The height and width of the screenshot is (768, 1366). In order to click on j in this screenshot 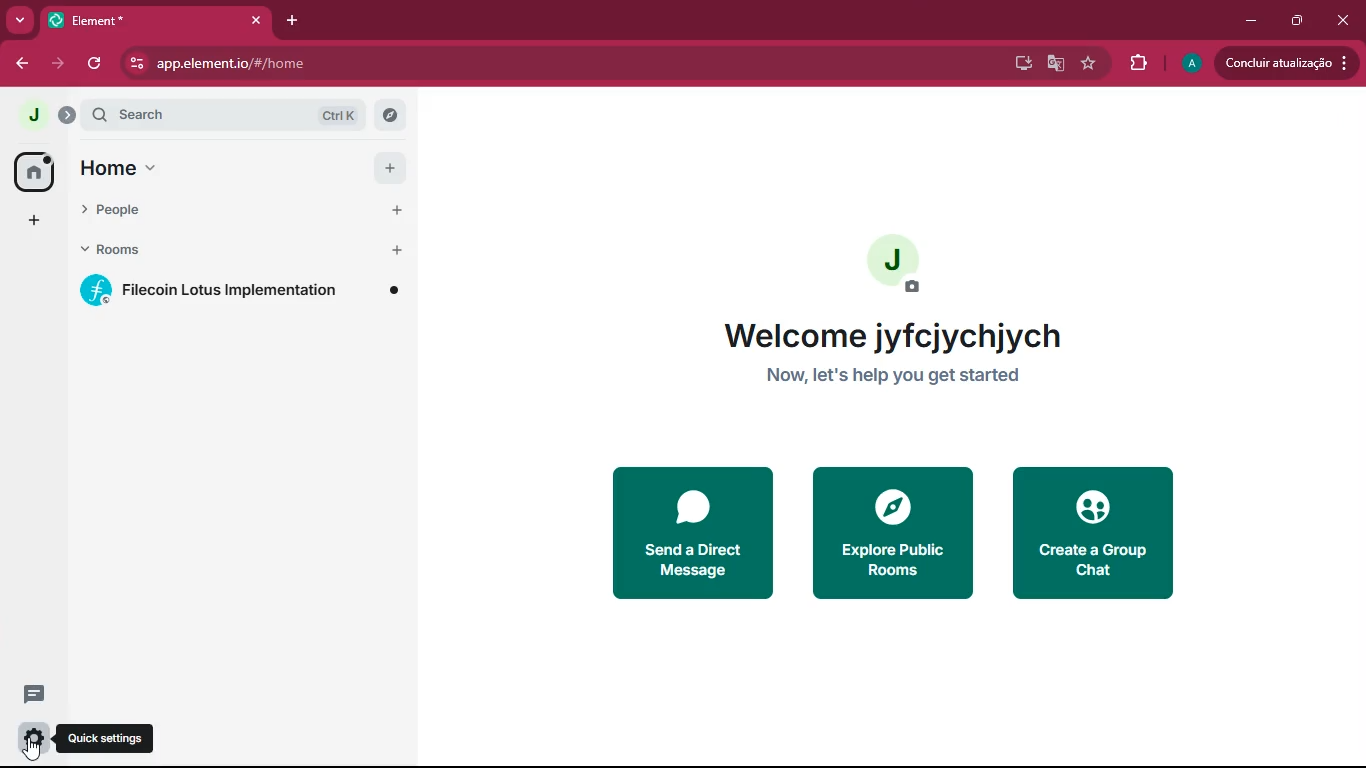, I will do `click(32, 116)`.